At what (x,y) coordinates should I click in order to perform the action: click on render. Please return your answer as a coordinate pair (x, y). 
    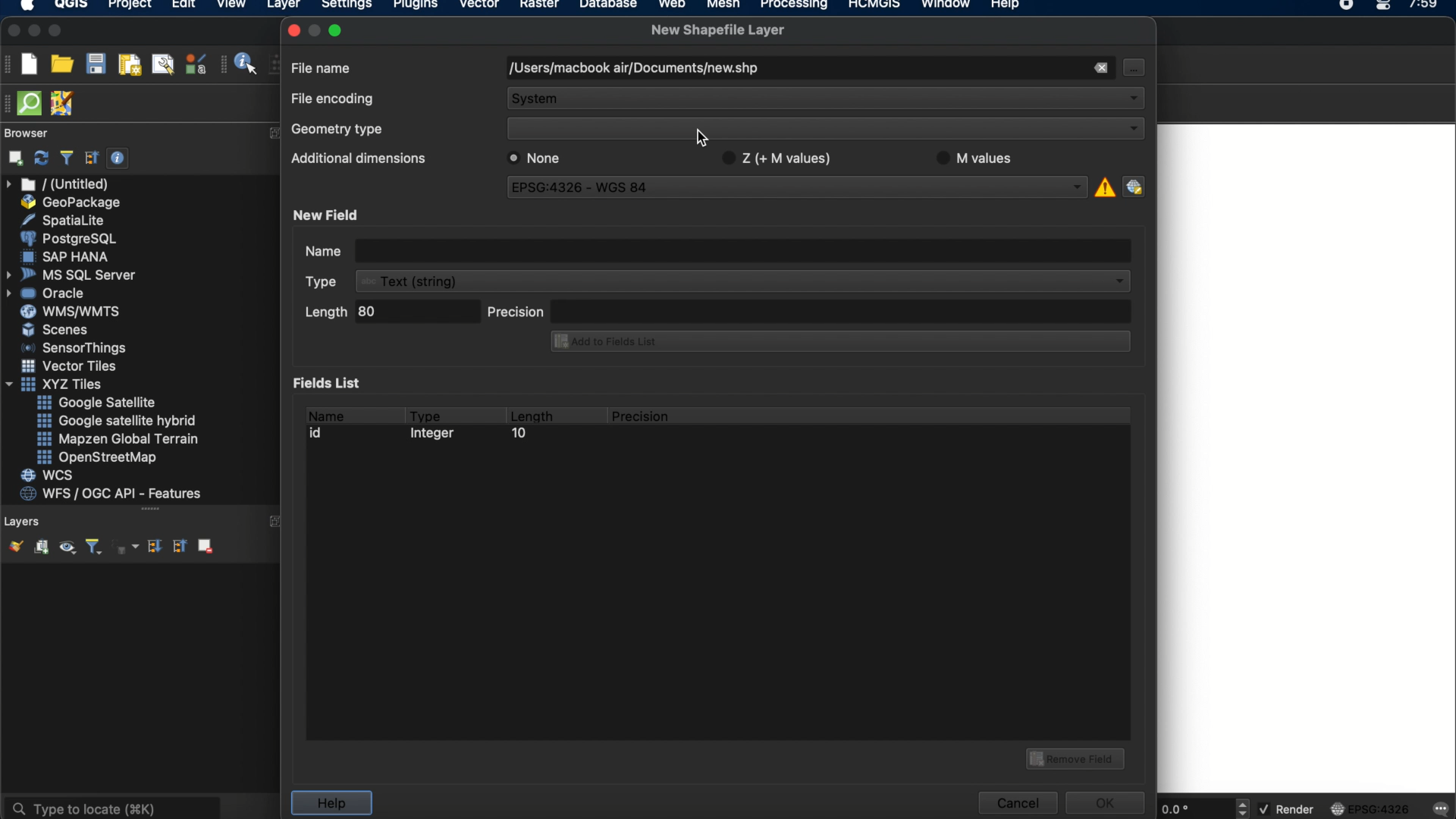
    Looking at the image, I should click on (1288, 810).